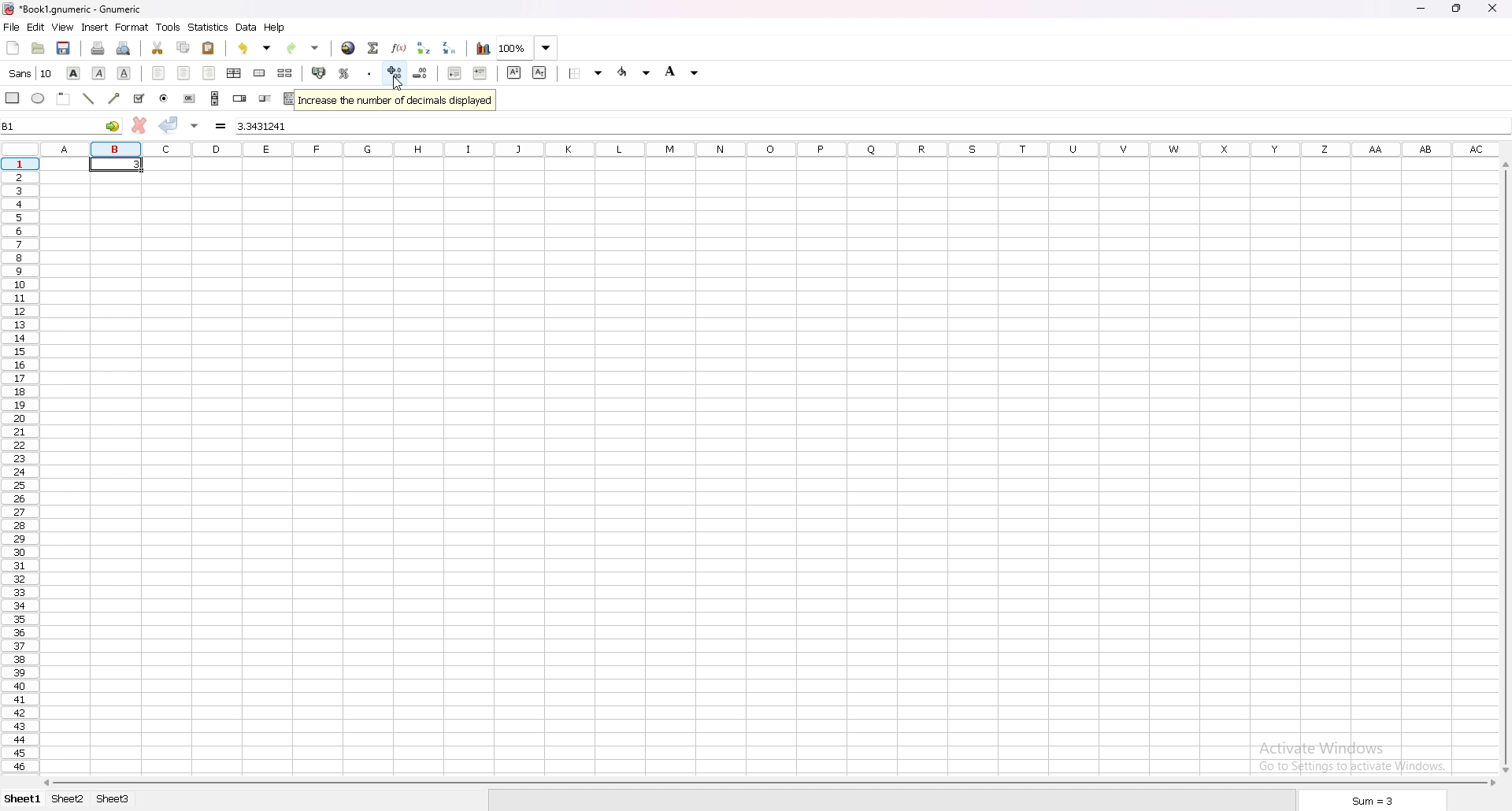  I want to click on rectangle, so click(13, 98).